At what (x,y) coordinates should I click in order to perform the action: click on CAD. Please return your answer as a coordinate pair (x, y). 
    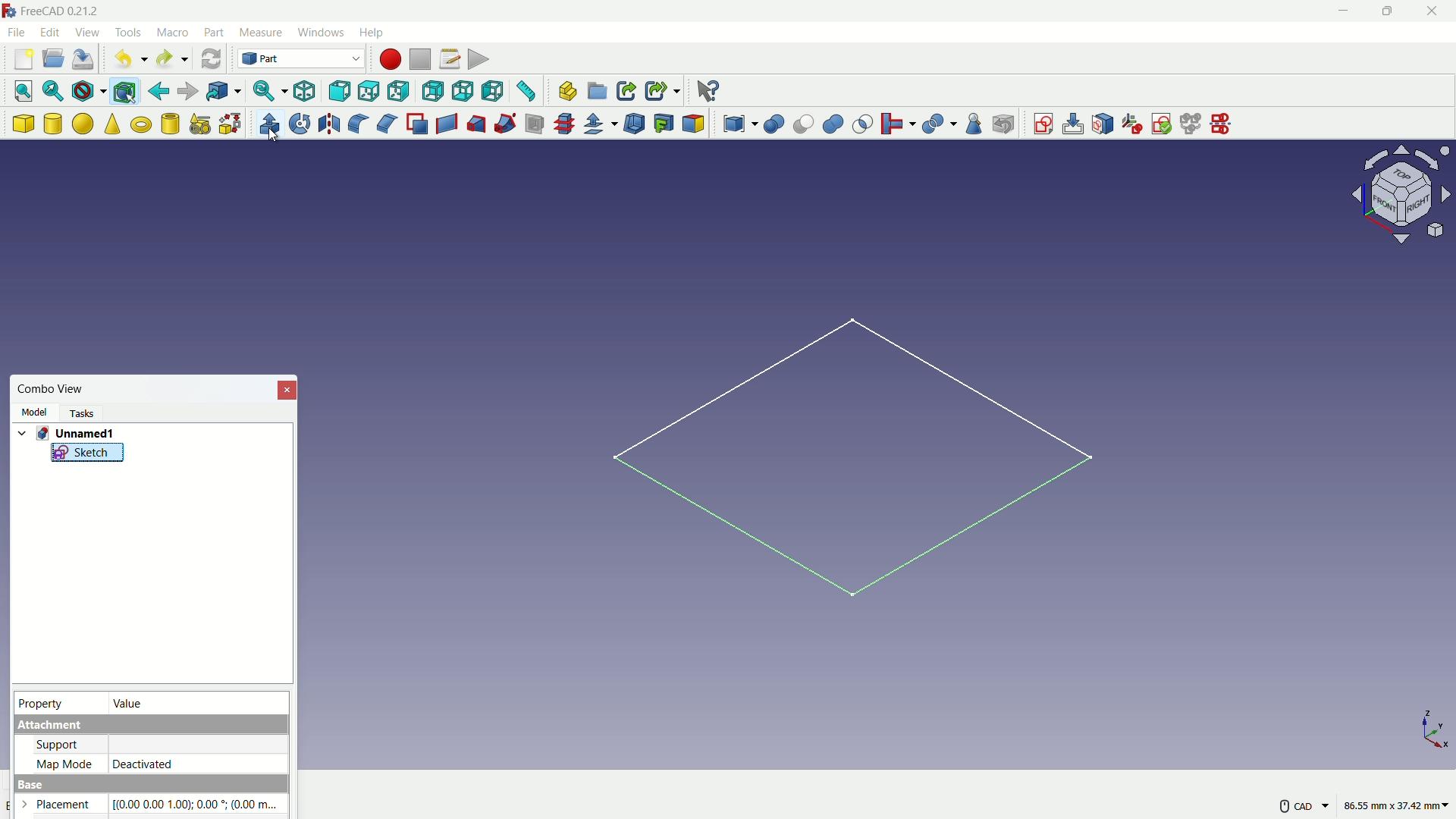
    Looking at the image, I should click on (1304, 805).